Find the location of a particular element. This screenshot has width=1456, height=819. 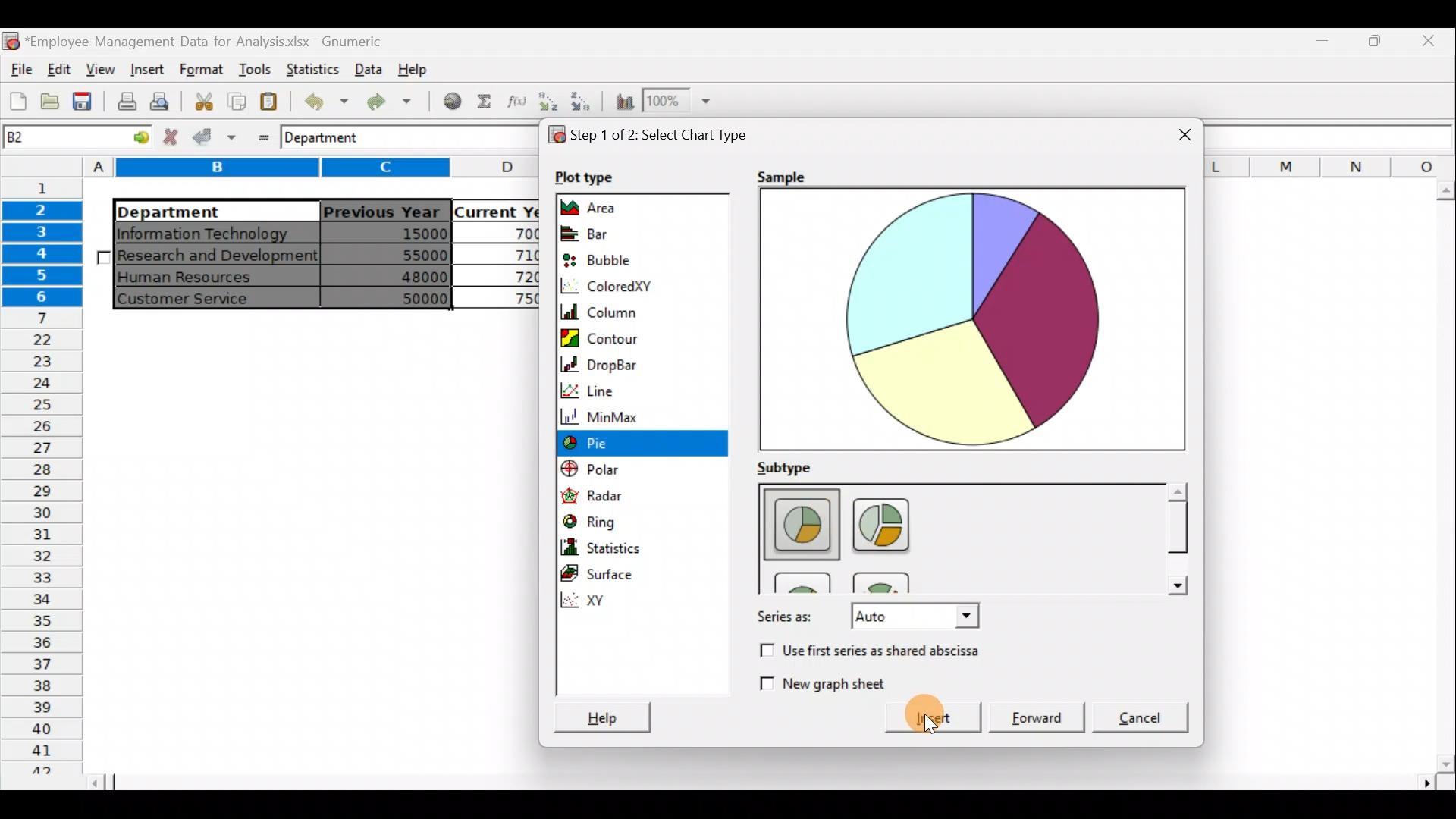

Enter formula is located at coordinates (259, 136).